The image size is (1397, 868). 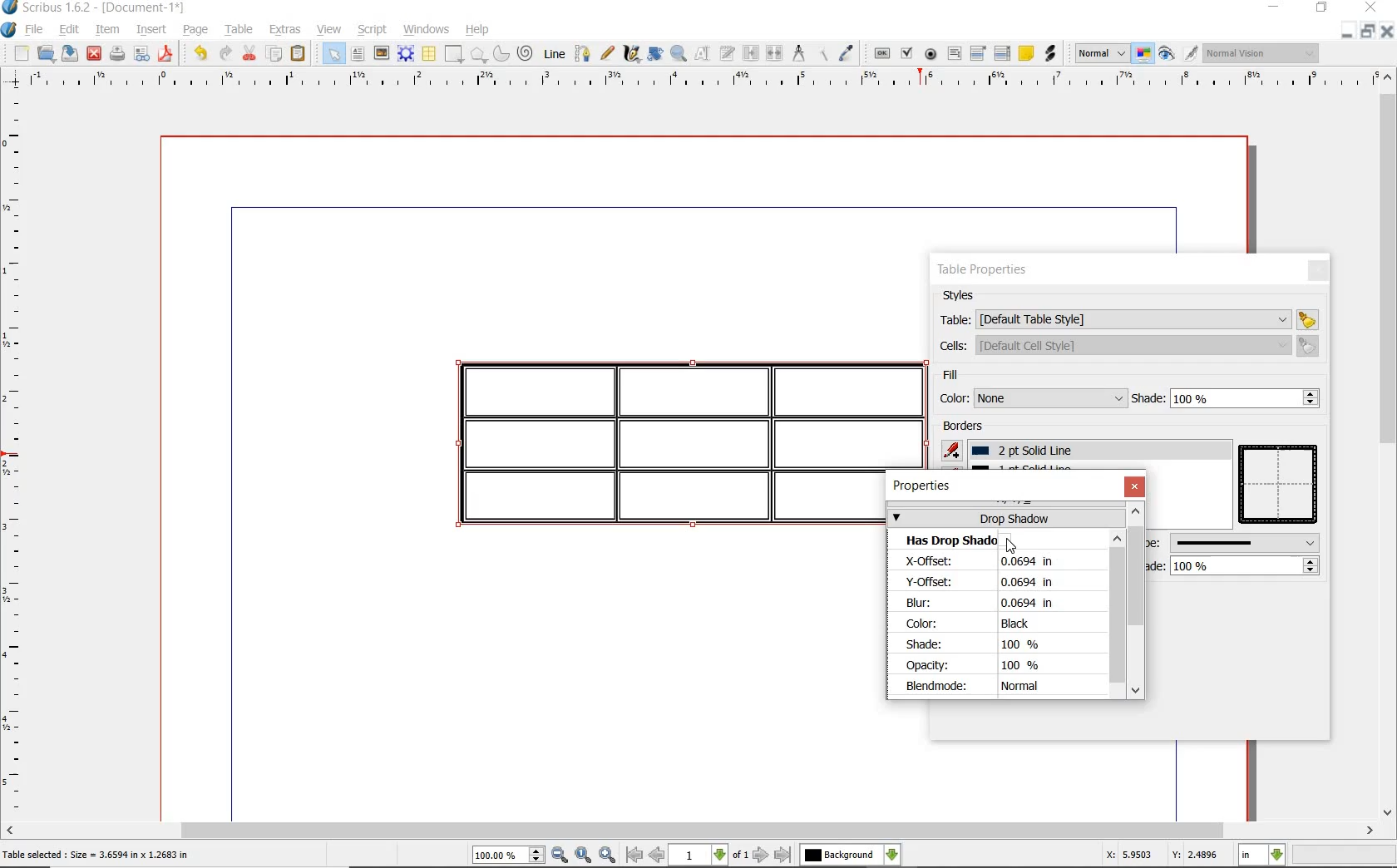 What do you see at coordinates (634, 856) in the screenshot?
I see `go to first page` at bounding box center [634, 856].